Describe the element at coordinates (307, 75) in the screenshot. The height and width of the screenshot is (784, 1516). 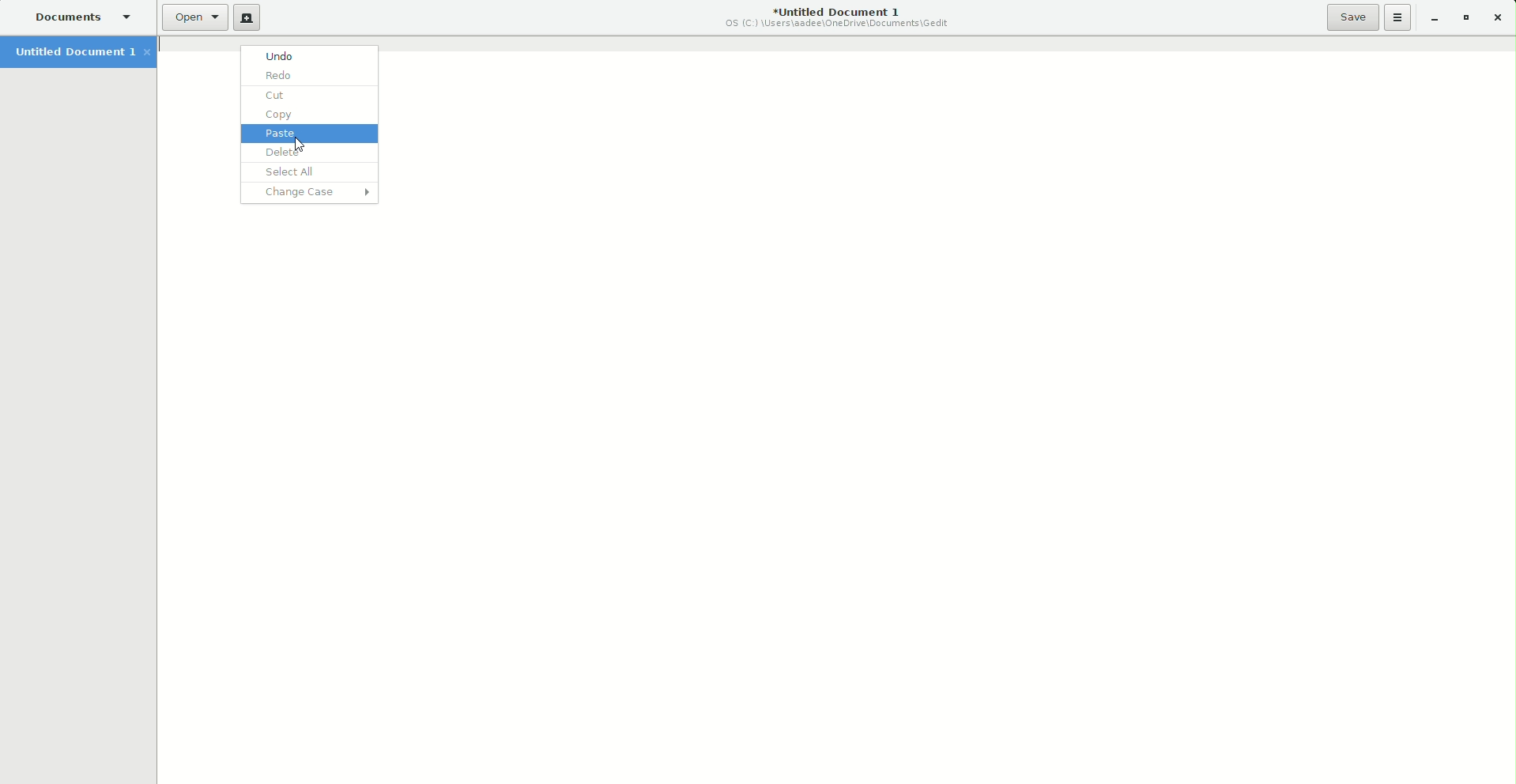
I see `Redo` at that location.